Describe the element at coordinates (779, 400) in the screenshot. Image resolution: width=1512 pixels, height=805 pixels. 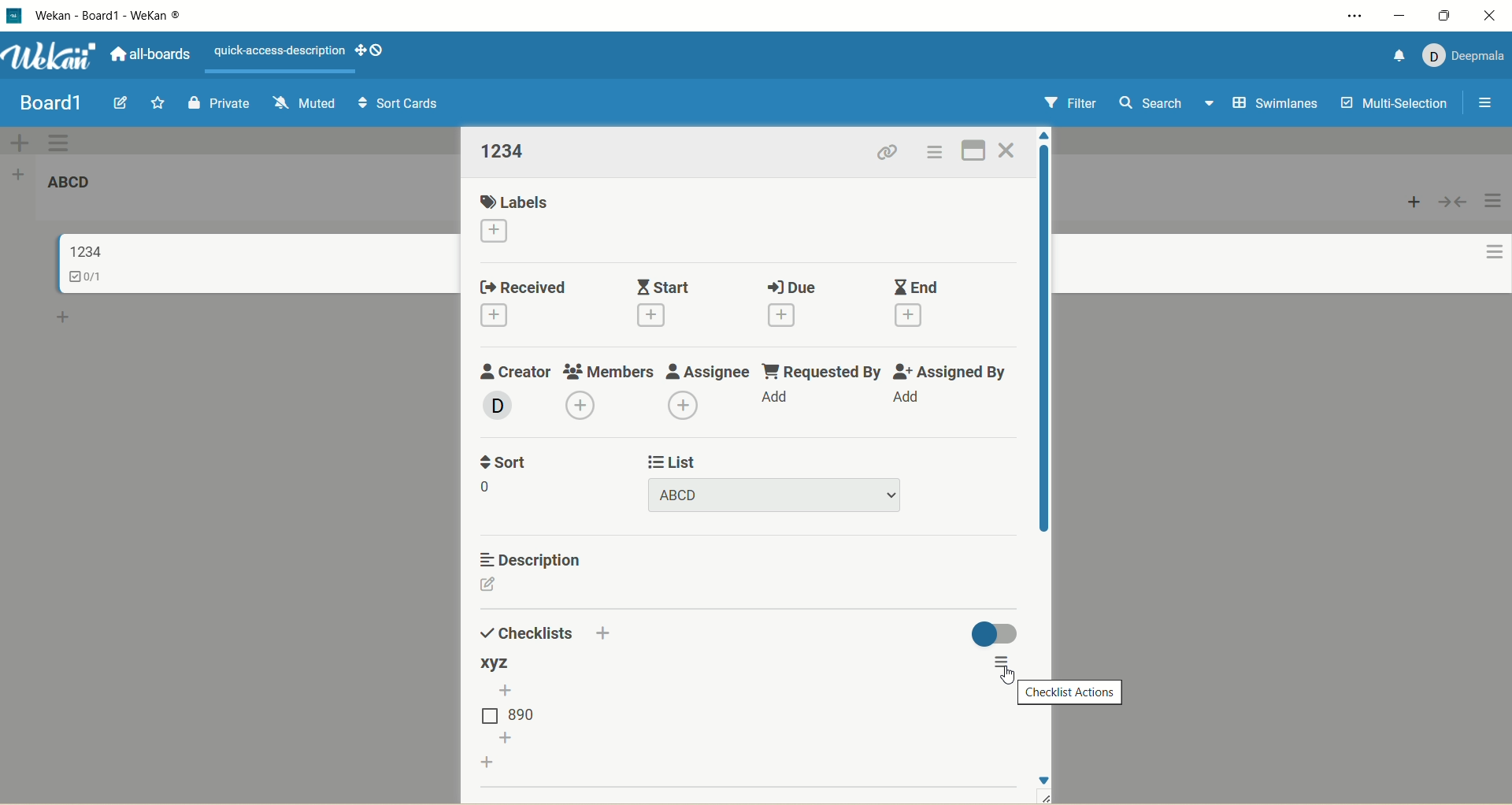
I see `add` at that location.